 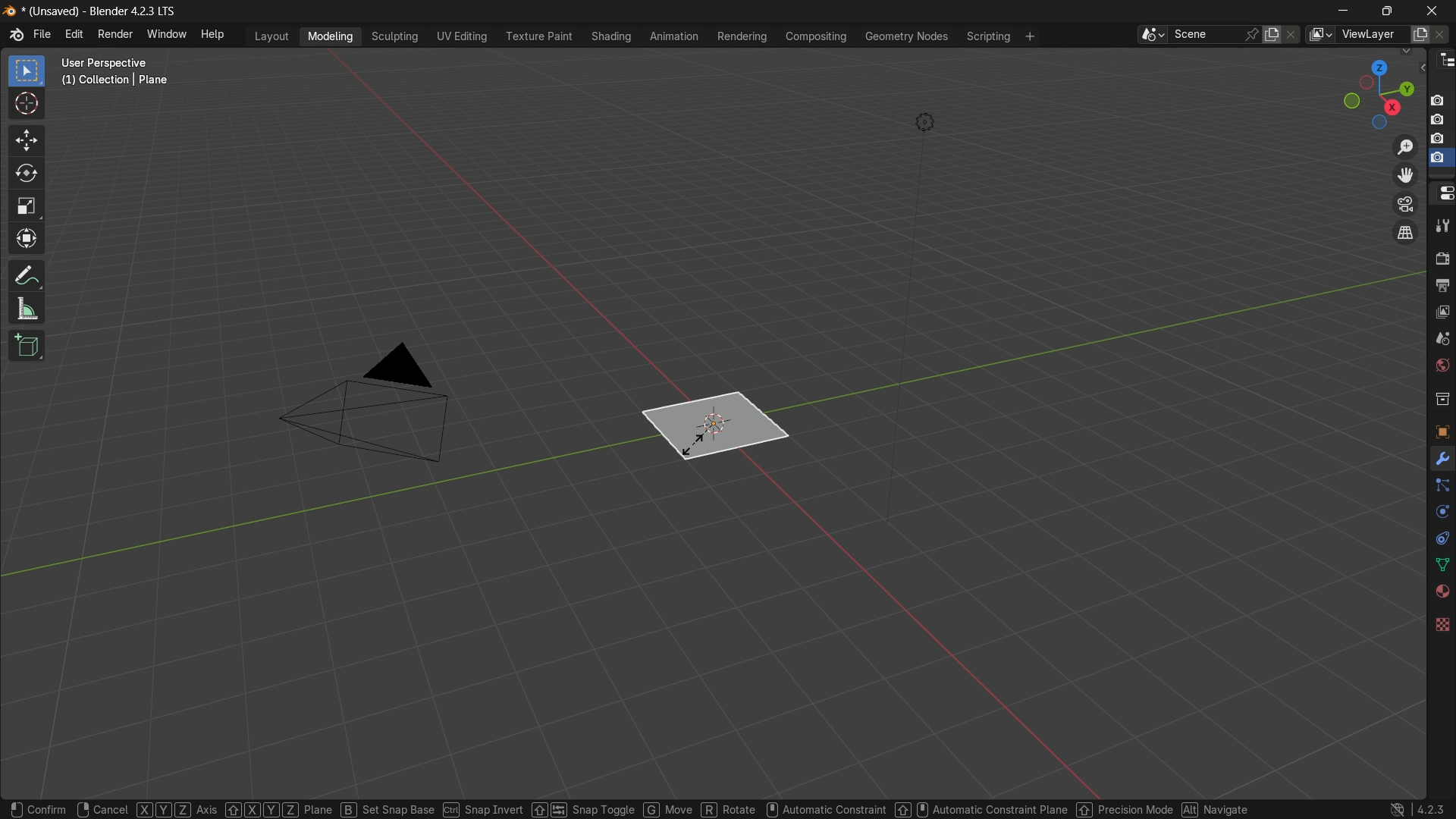 What do you see at coordinates (1142, 33) in the screenshot?
I see `browse scenes` at bounding box center [1142, 33].